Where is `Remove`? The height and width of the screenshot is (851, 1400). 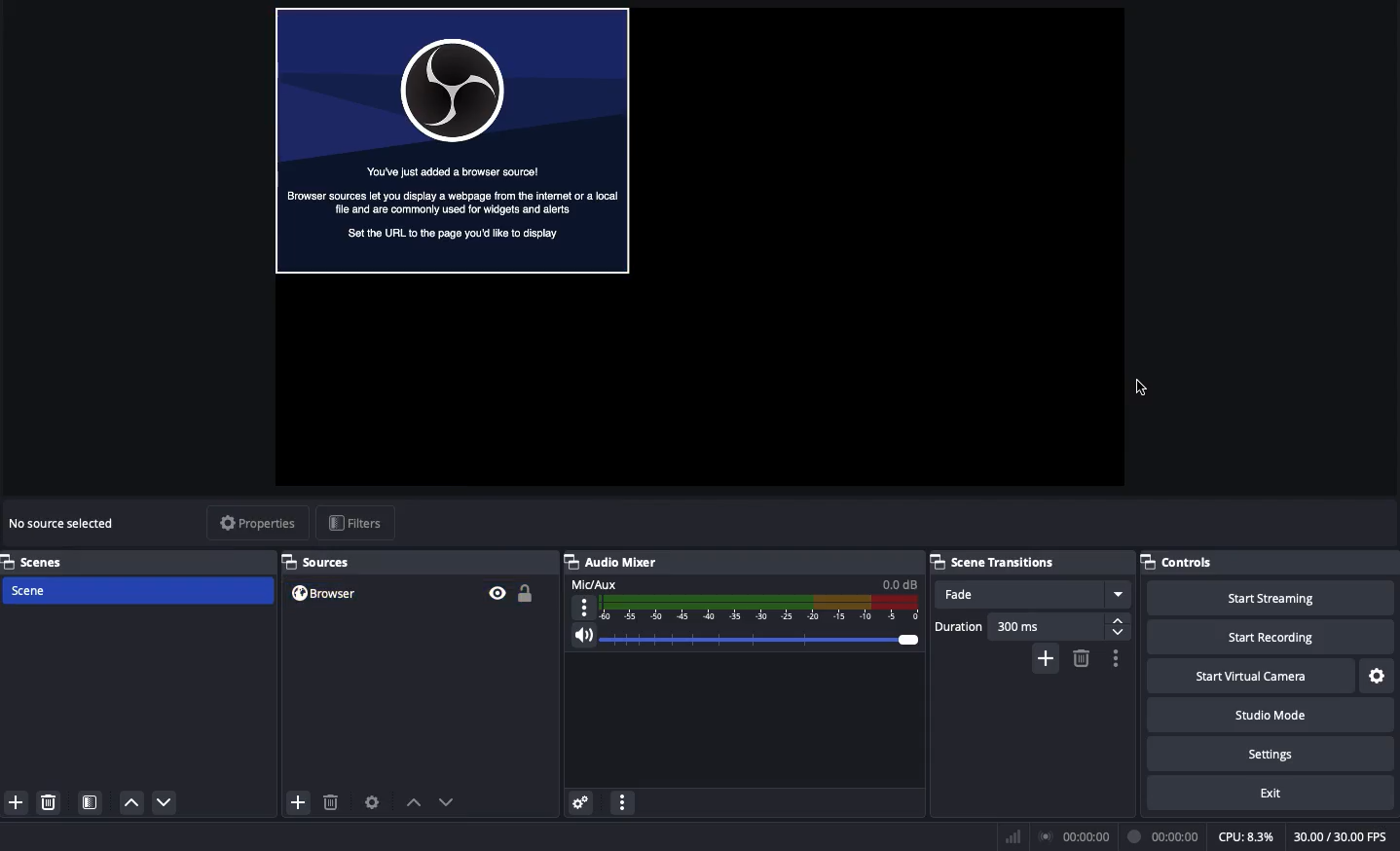 Remove is located at coordinates (1082, 658).